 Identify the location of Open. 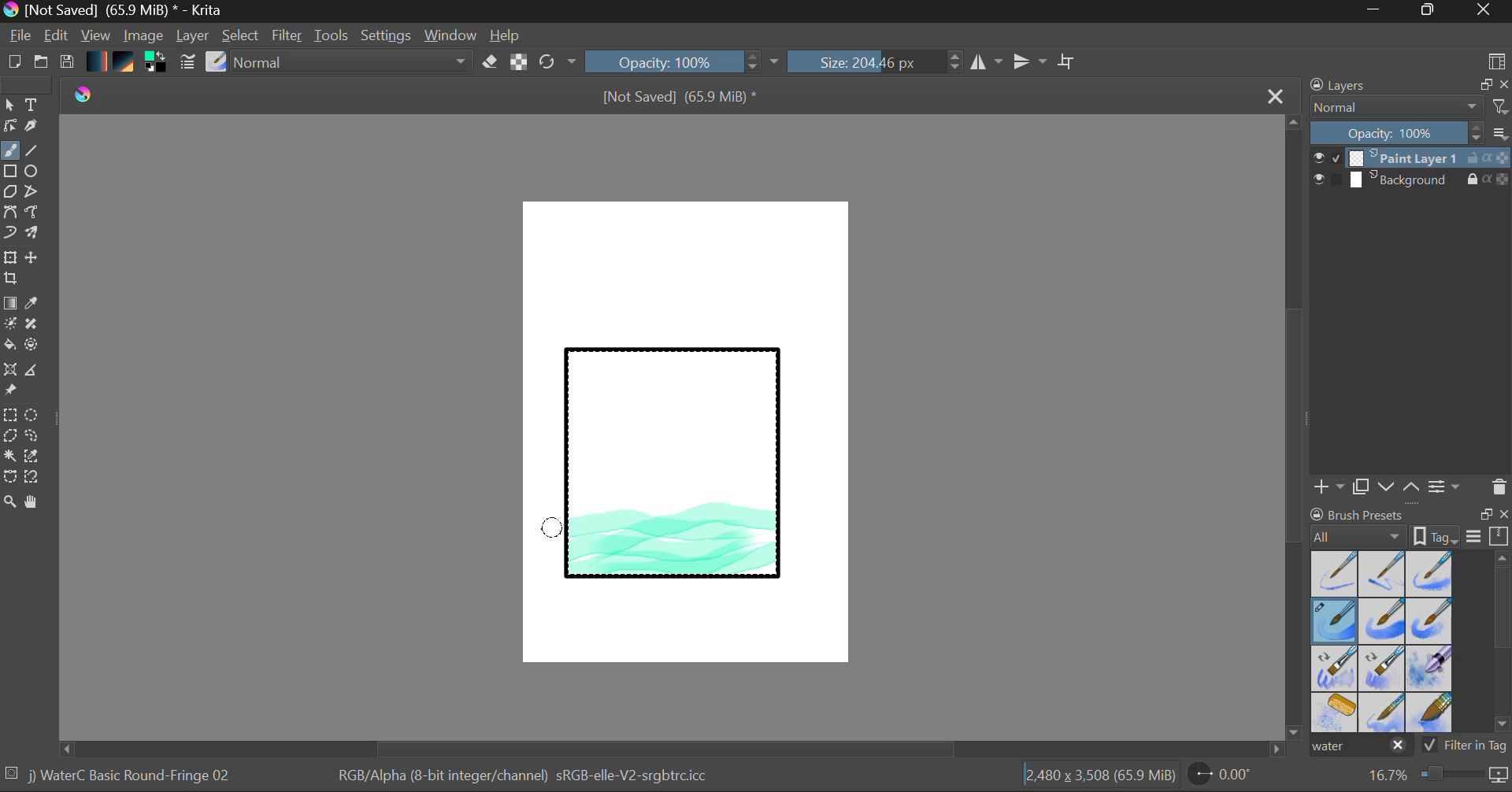
(43, 64).